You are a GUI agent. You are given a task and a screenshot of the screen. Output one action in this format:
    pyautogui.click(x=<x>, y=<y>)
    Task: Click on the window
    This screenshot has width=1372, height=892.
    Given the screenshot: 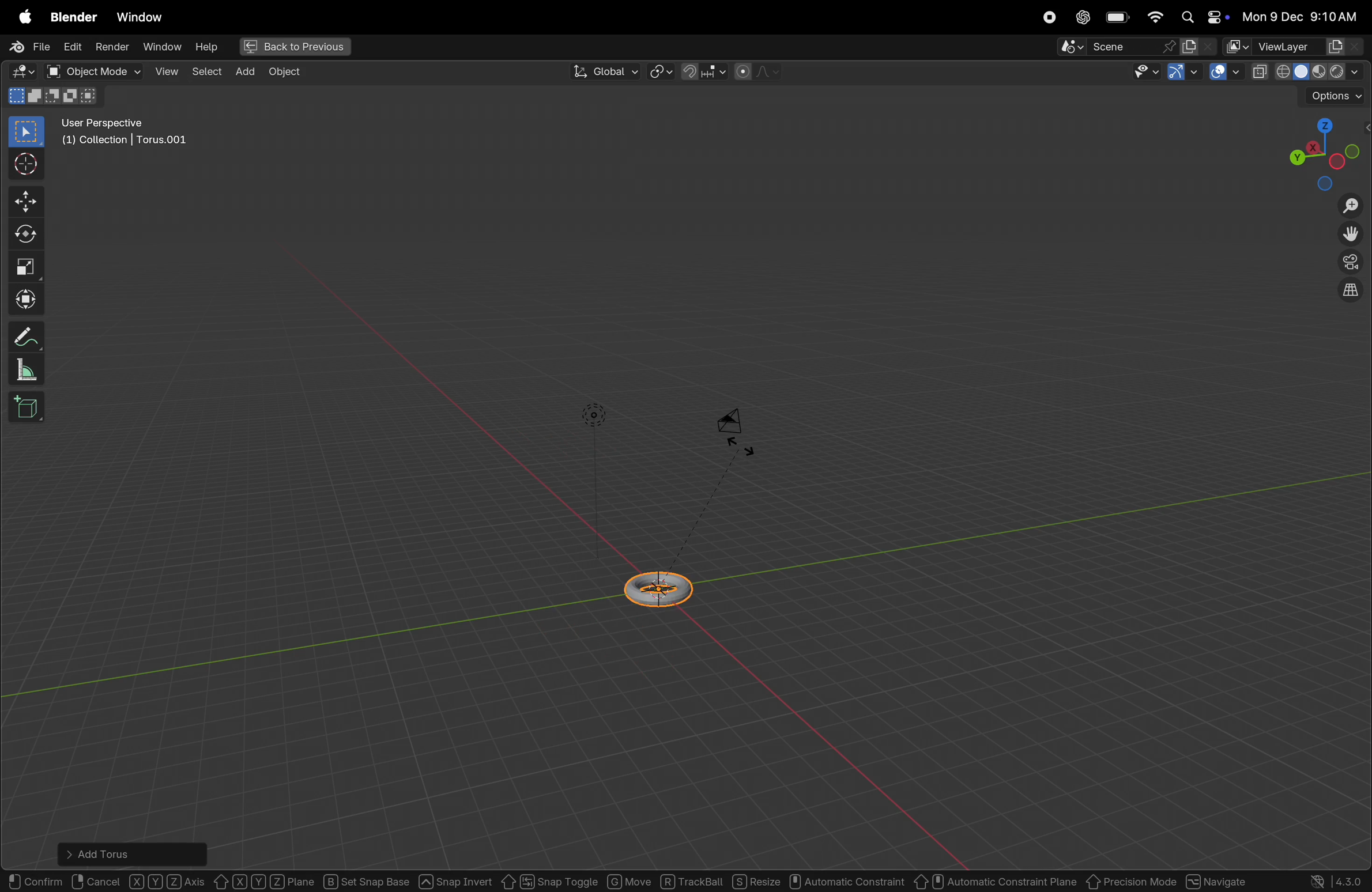 What is the action you would take?
    pyautogui.click(x=161, y=47)
    